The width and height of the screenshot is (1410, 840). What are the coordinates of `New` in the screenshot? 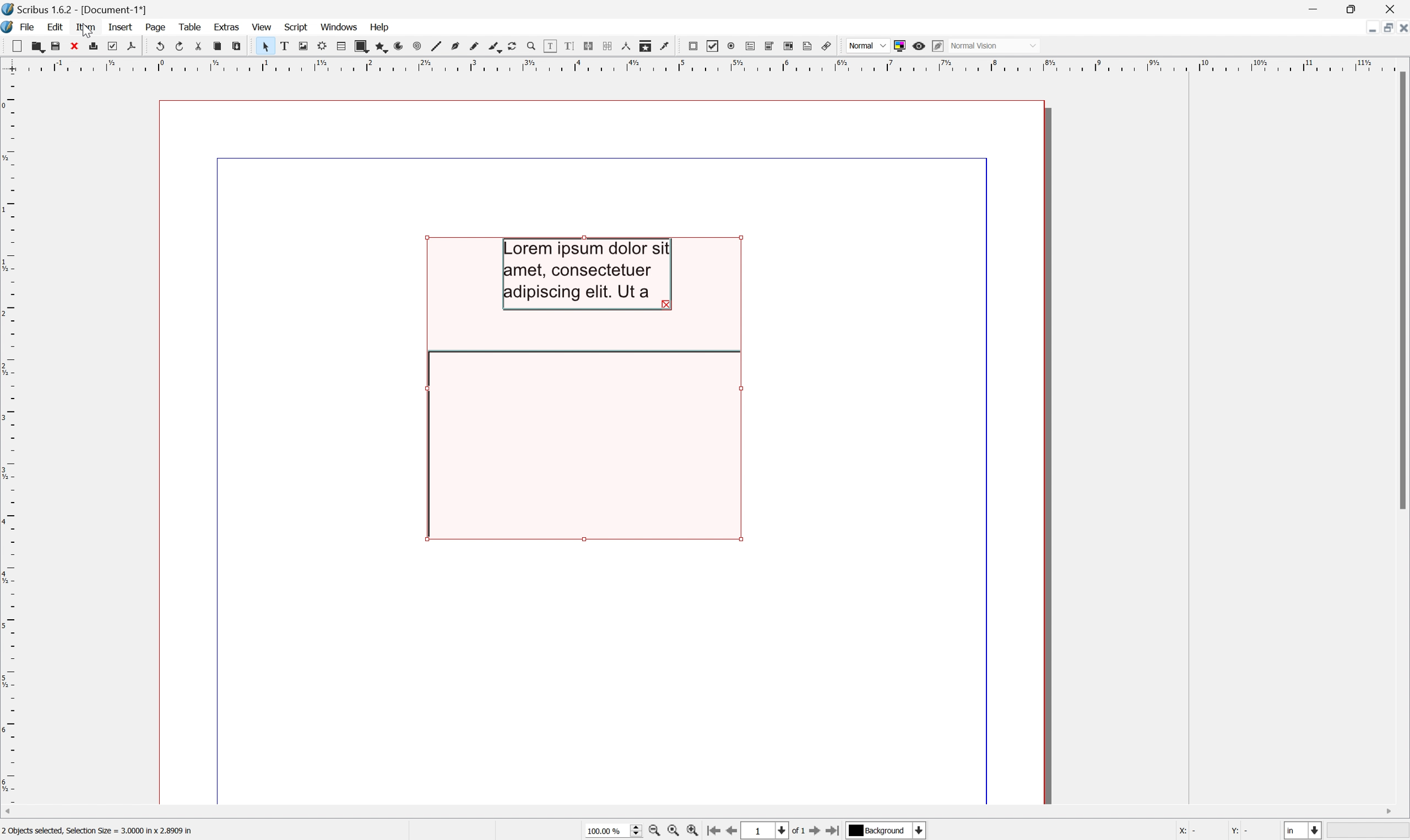 It's located at (11, 46).